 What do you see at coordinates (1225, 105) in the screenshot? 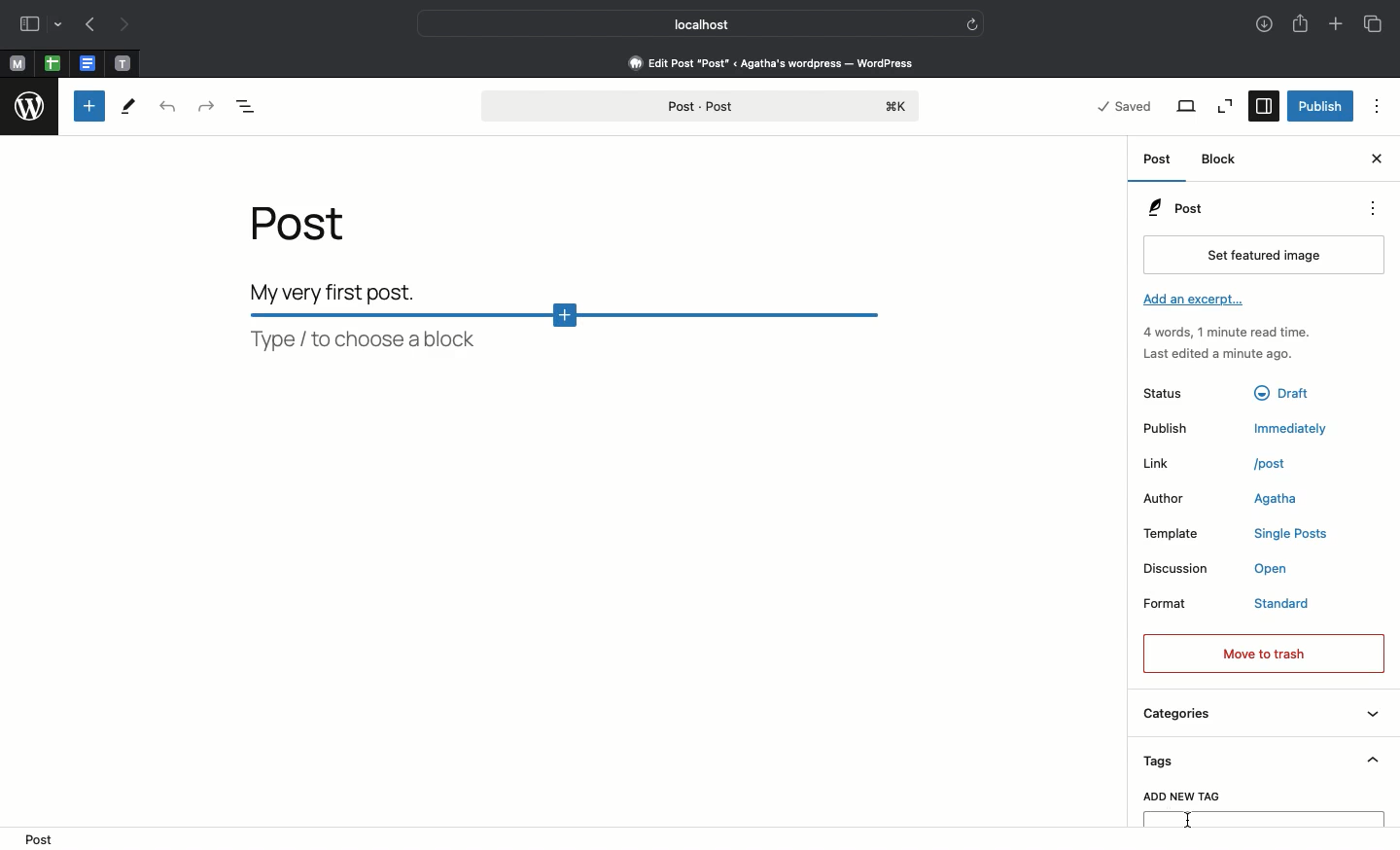
I see `Zoom out` at bounding box center [1225, 105].